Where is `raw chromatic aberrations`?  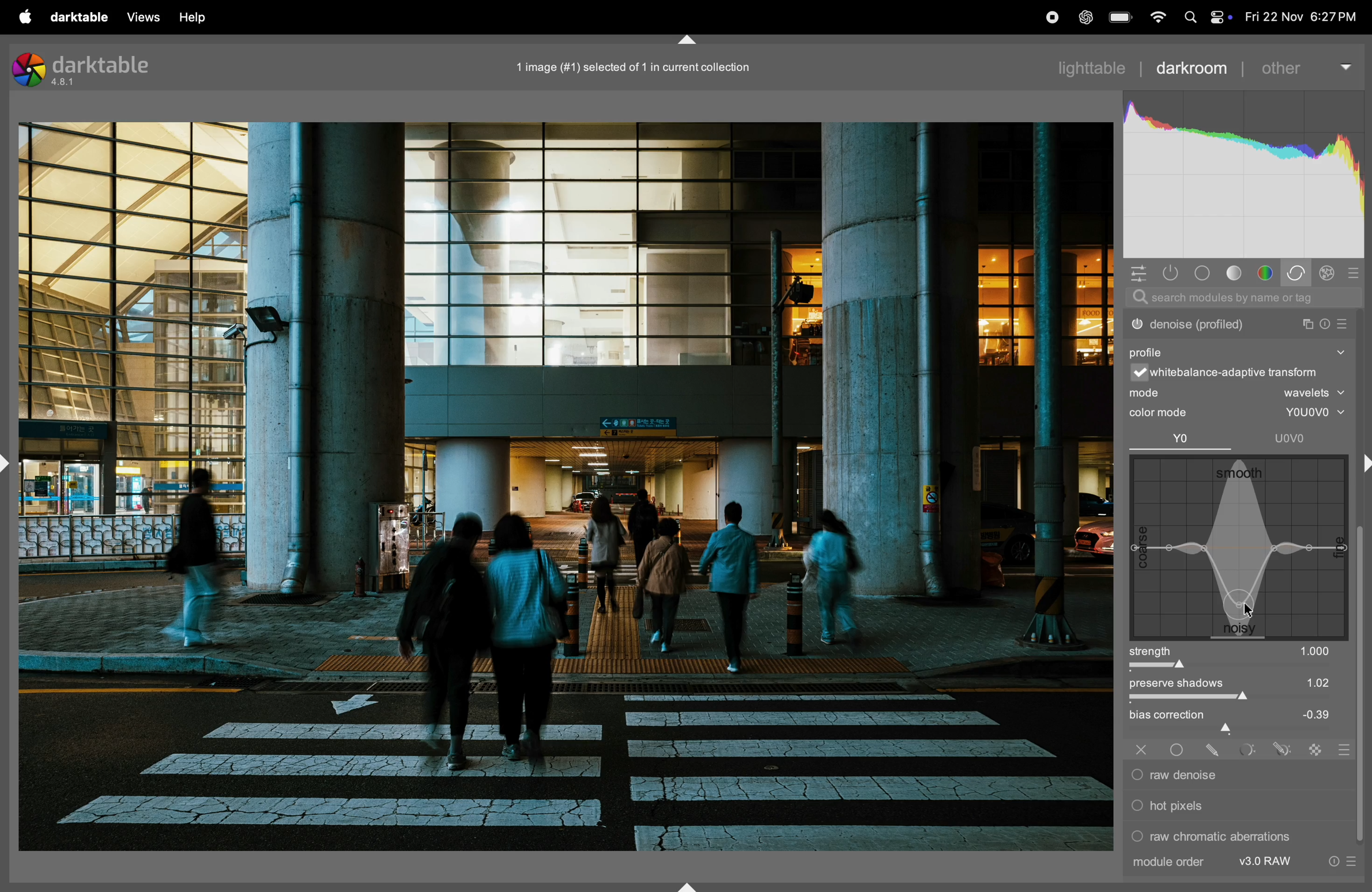 raw chromatic aberrations is located at coordinates (1212, 836).